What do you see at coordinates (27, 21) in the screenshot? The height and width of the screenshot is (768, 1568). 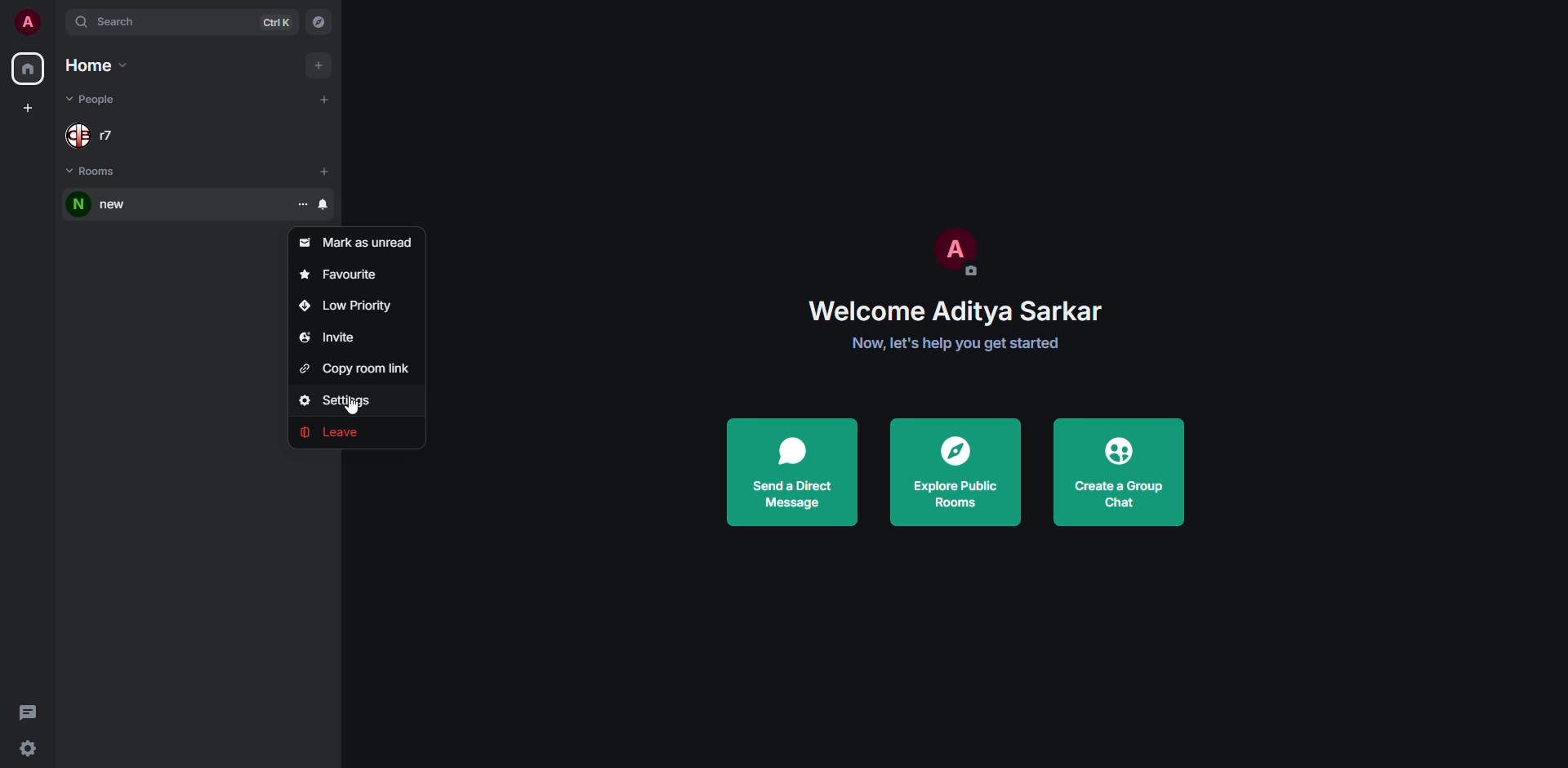 I see `profile` at bounding box center [27, 21].